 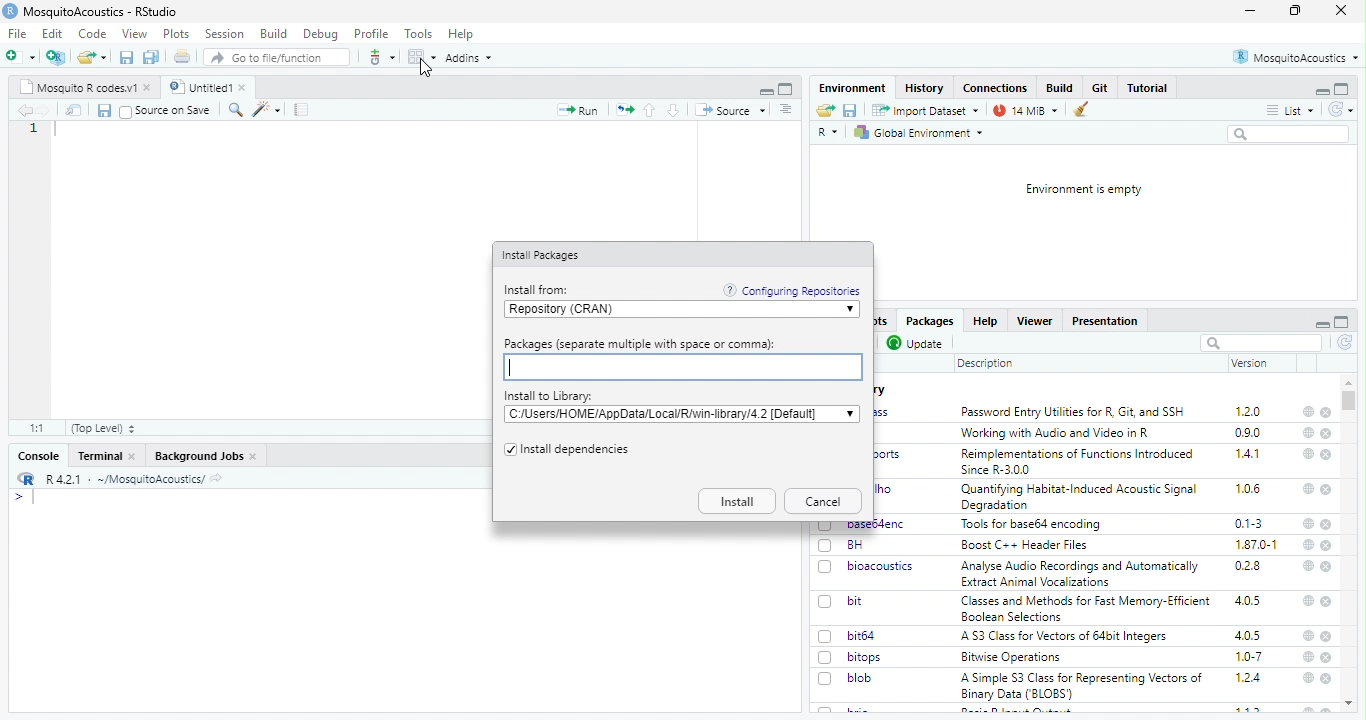 I want to click on down, so click(x=675, y=110).